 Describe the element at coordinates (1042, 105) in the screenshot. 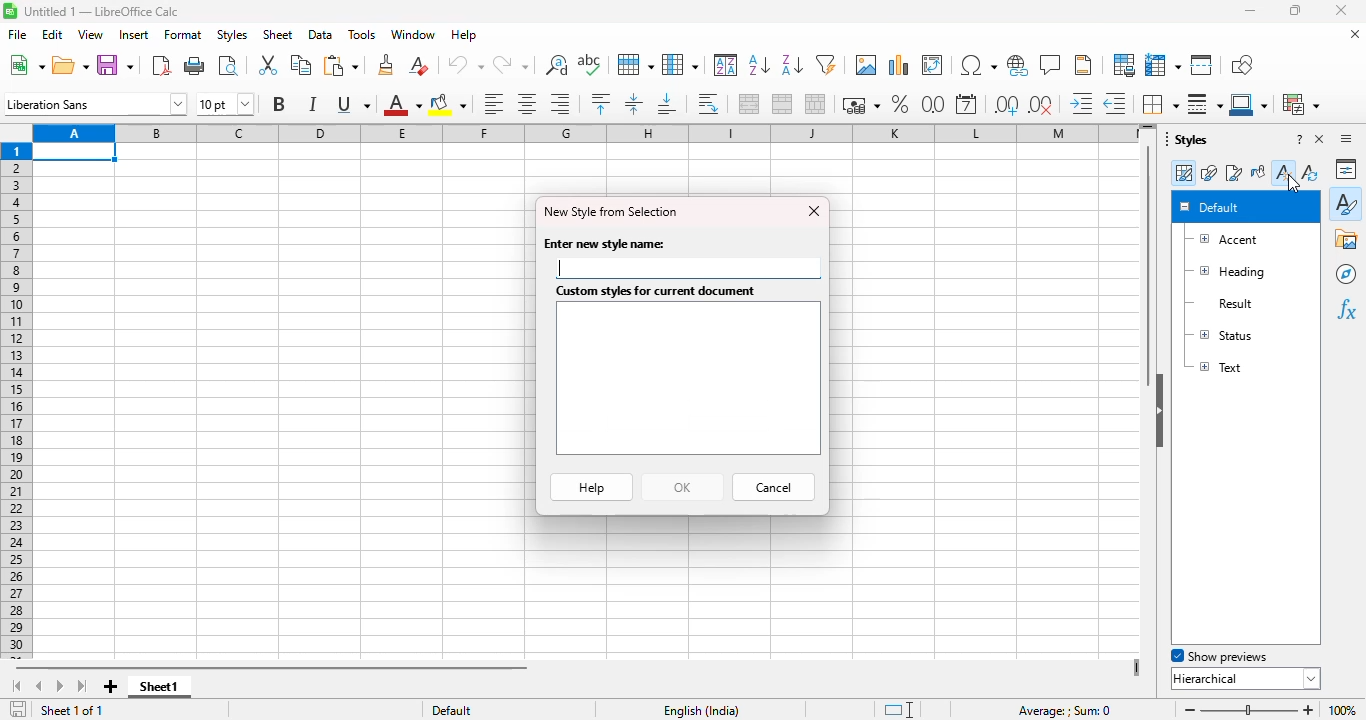

I see `delete decimal` at that location.